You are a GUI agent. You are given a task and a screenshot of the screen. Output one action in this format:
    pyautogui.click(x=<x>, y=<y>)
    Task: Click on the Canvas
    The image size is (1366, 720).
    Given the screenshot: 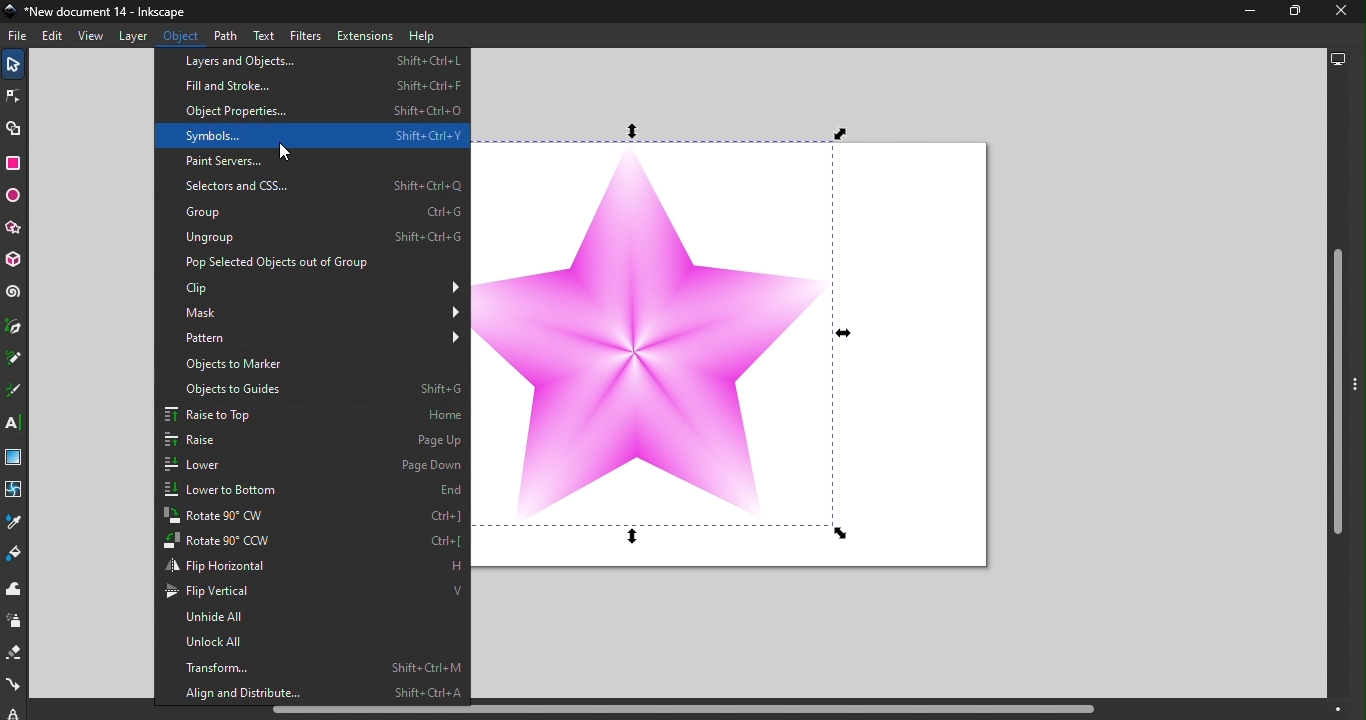 What is the action you would take?
    pyautogui.click(x=752, y=355)
    